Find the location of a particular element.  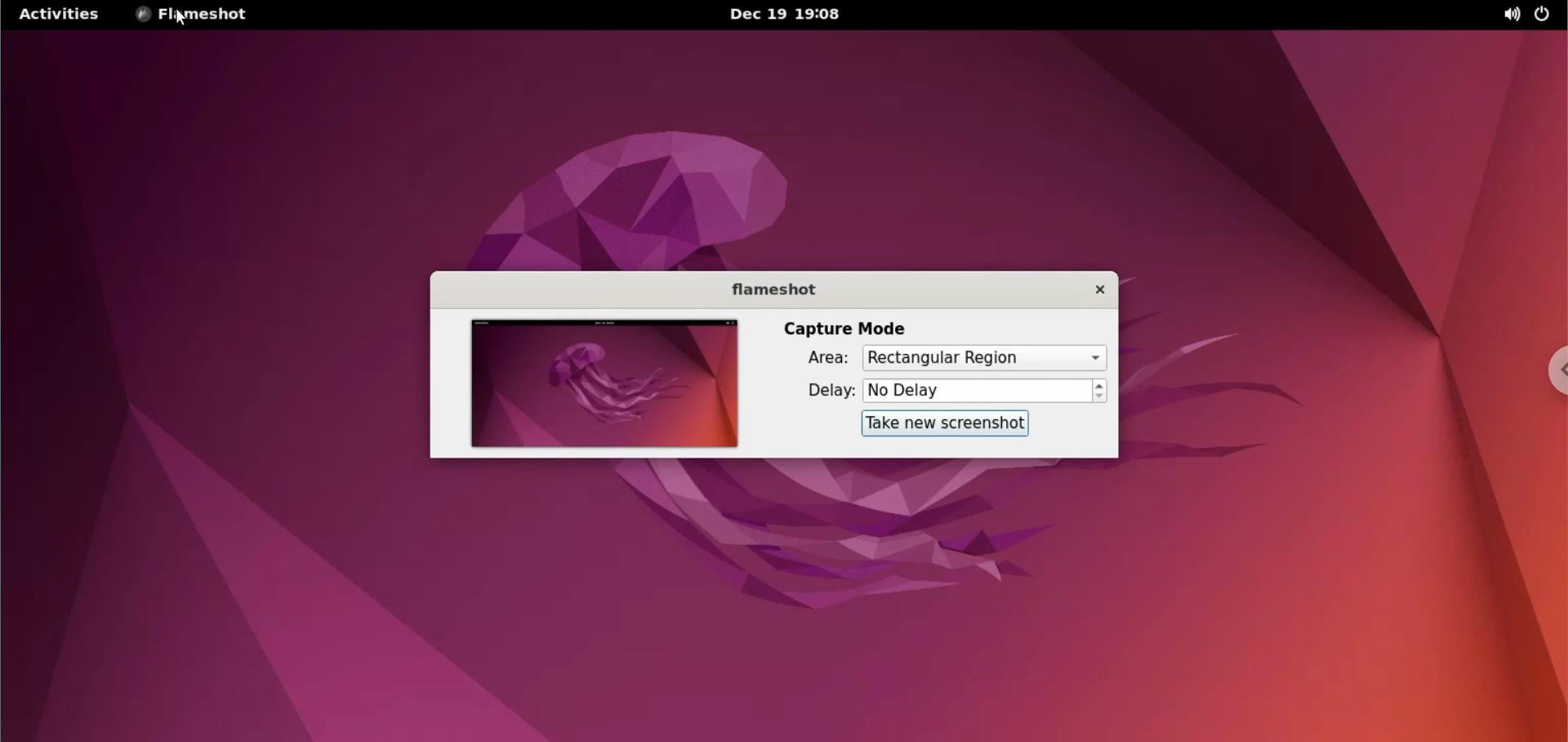

capture mode  is located at coordinates (845, 327).